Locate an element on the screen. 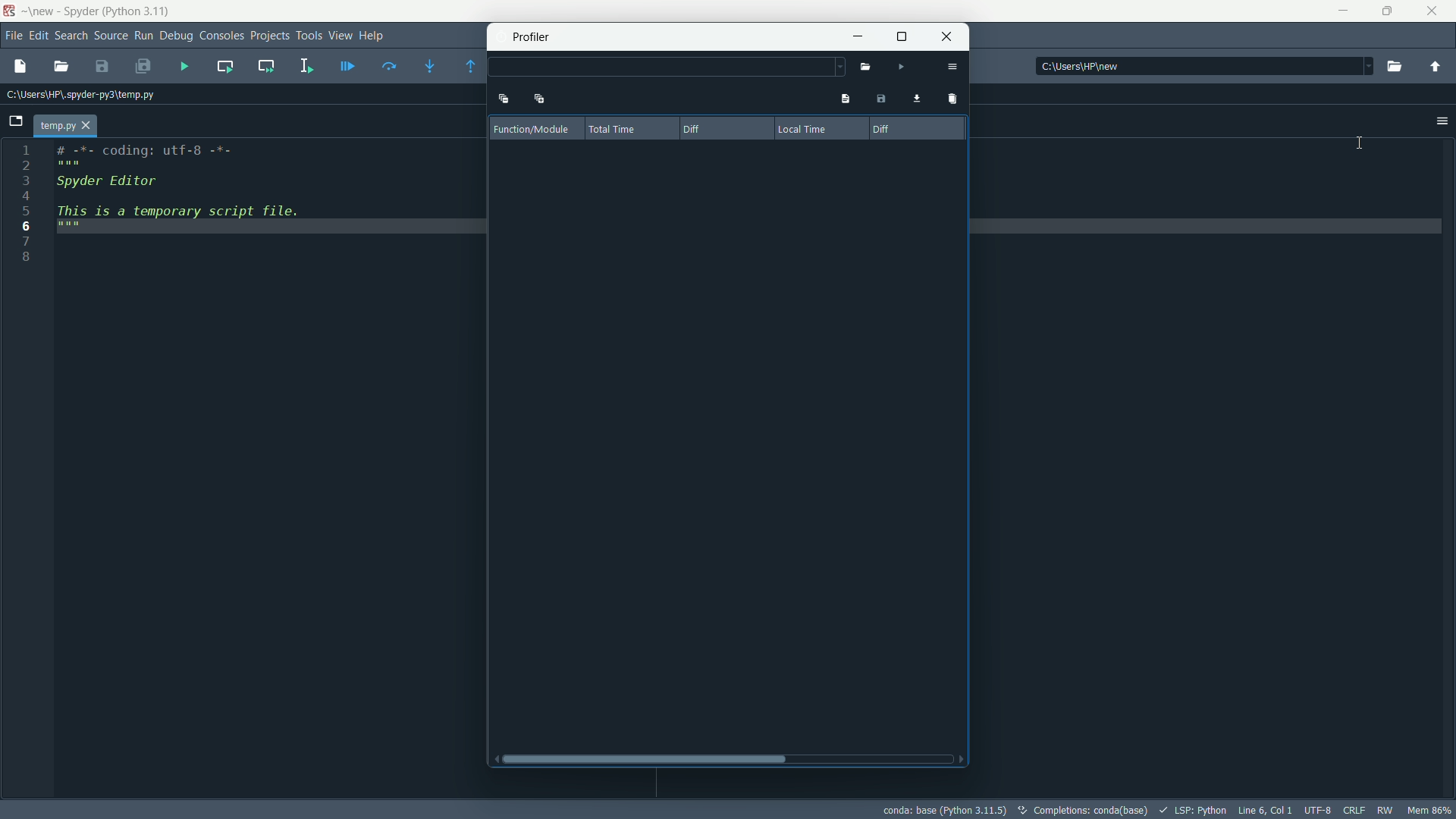 The width and height of the screenshot is (1456, 819). unlock position is located at coordinates (1442, 123).